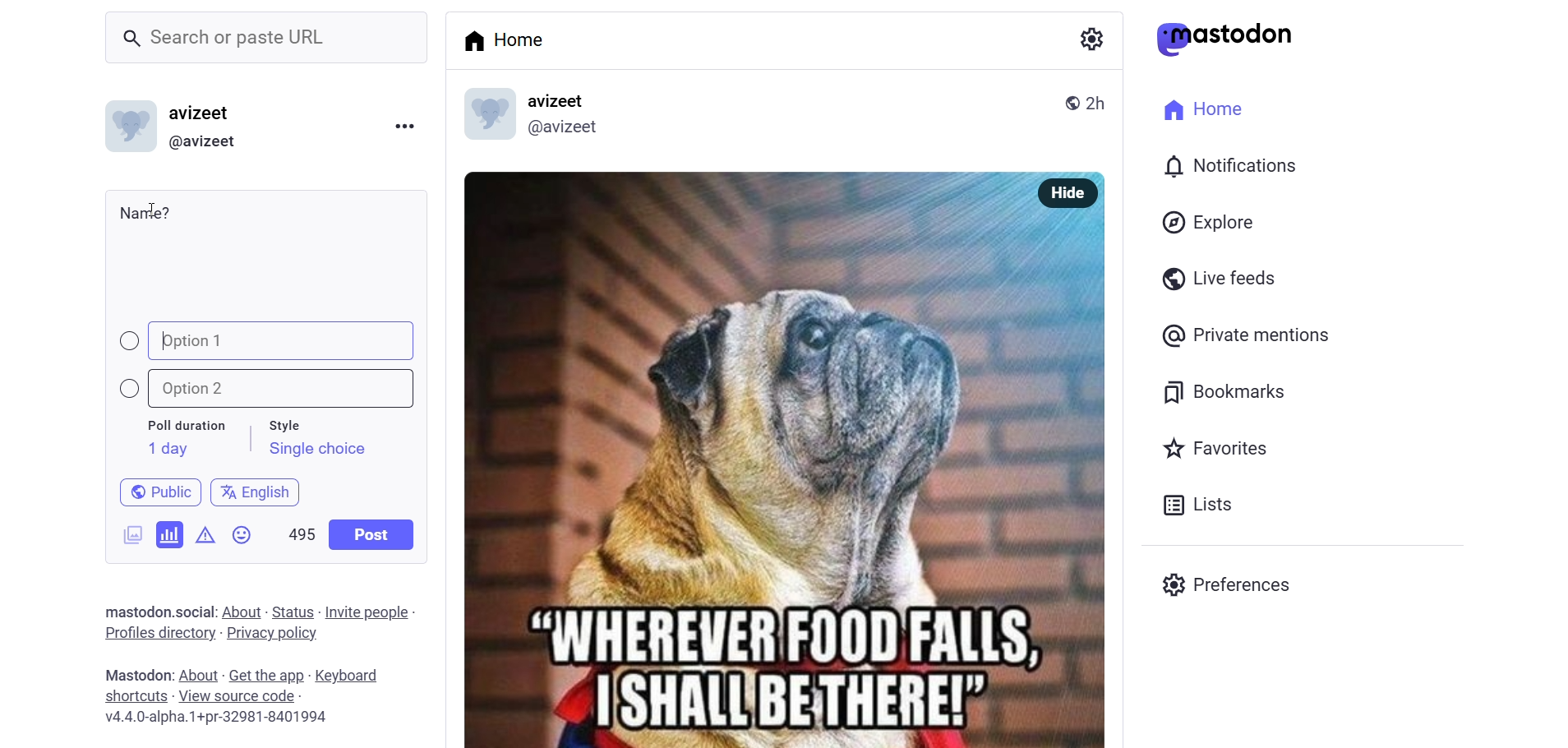 This screenshot has height=748, width=1568. I want to click on content warning, so click(205, 532).